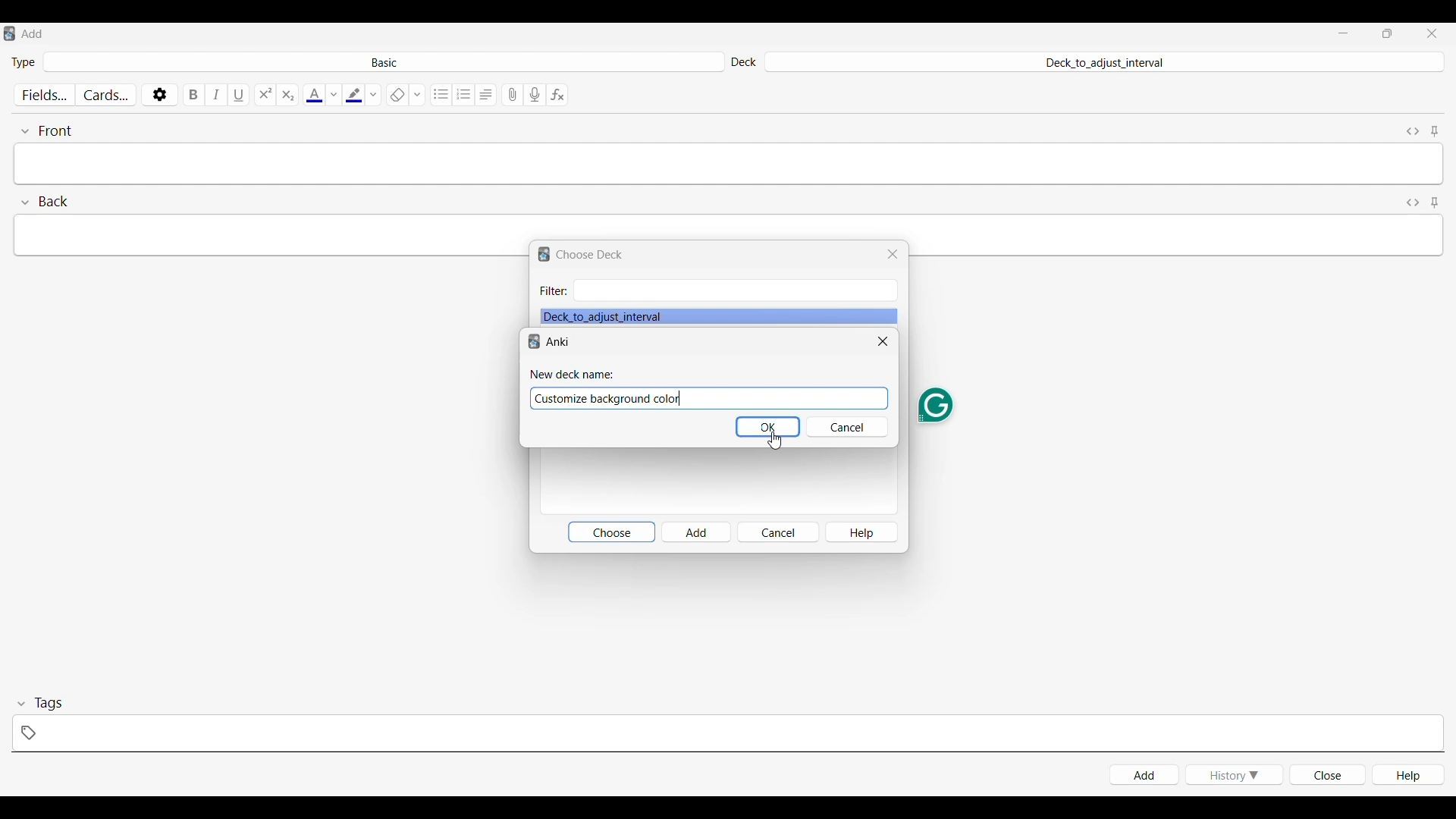 The width and height of the screenshot is (1456, 819). What do you see at coordinates (590, 255) in the screenshot?
I see `Window name` at bounding box center [590, 255].